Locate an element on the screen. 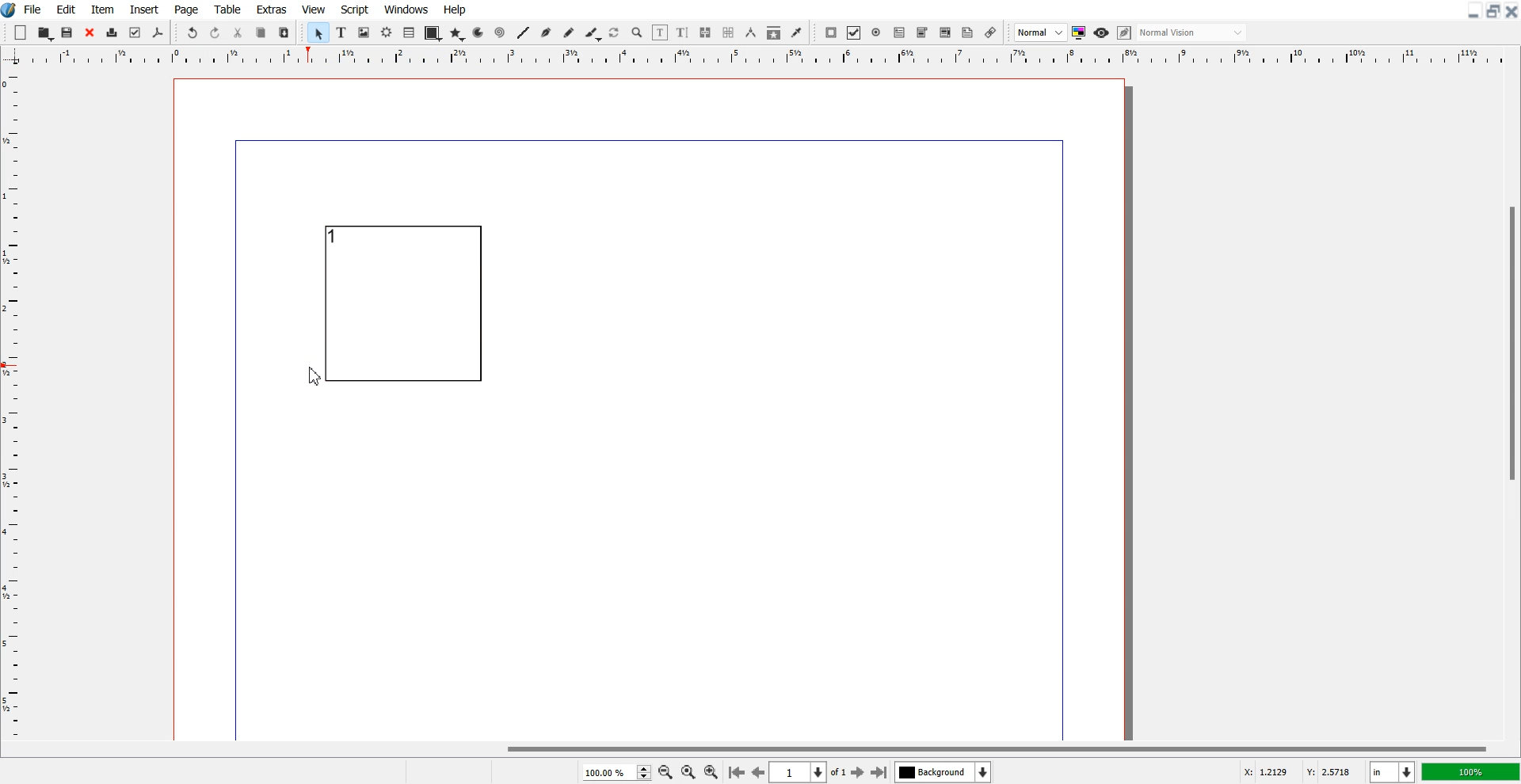 The width and height of the screenshot is (1521, 784). Table is located at coordinates (410, 32).